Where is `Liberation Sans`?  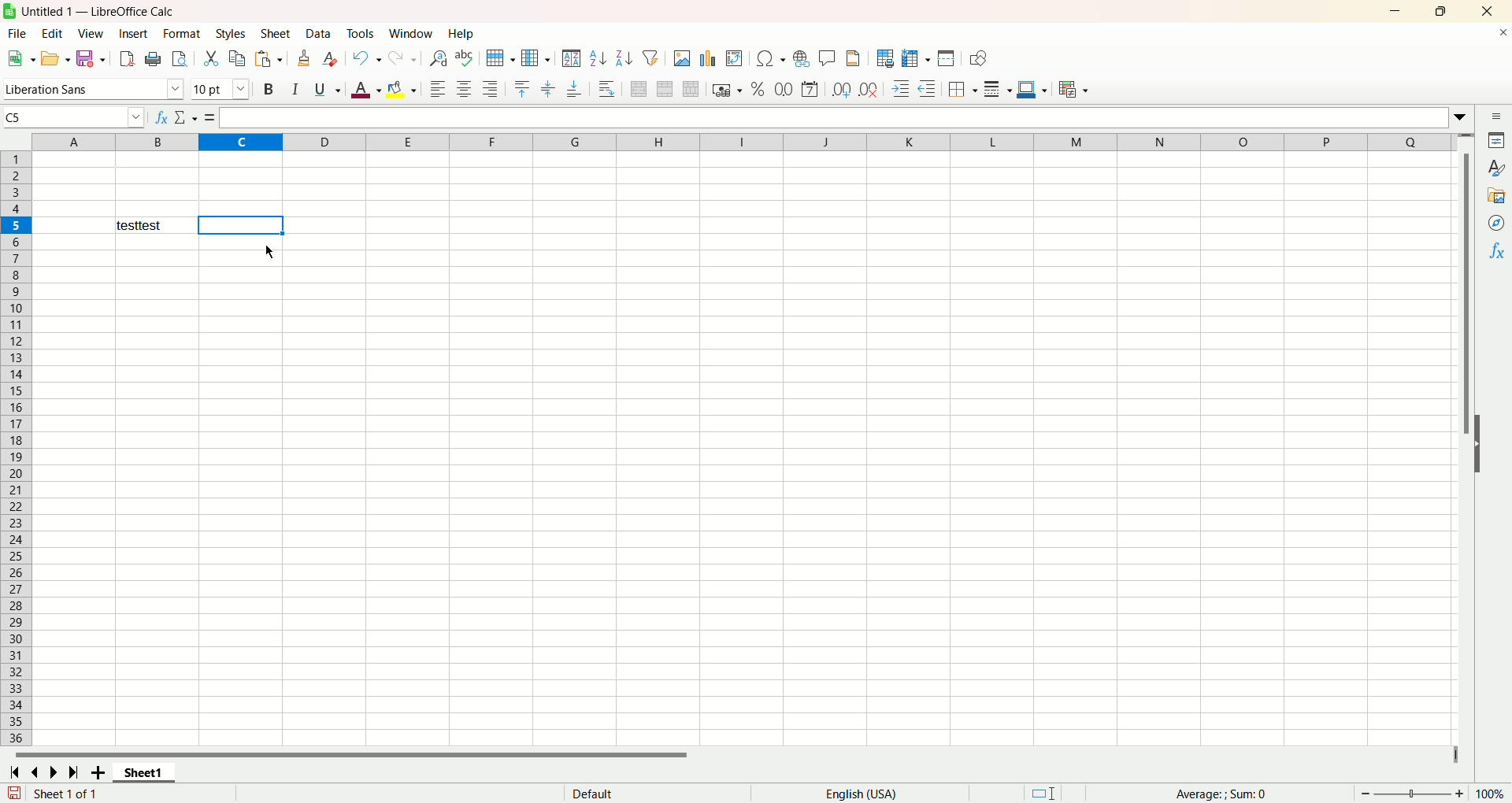
Liberation Sans is located at coordinates (94, 91).